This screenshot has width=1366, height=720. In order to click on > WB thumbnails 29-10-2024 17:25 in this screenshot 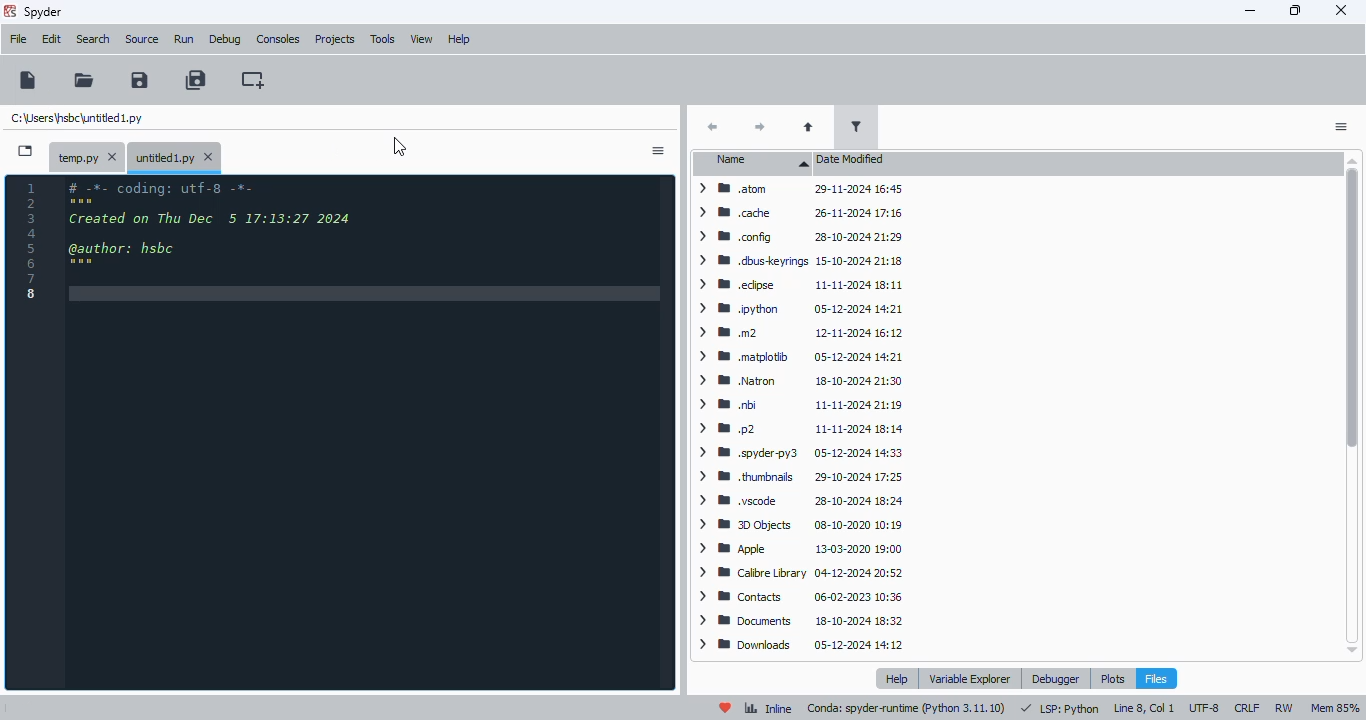, I will do `click(799, 477)`.